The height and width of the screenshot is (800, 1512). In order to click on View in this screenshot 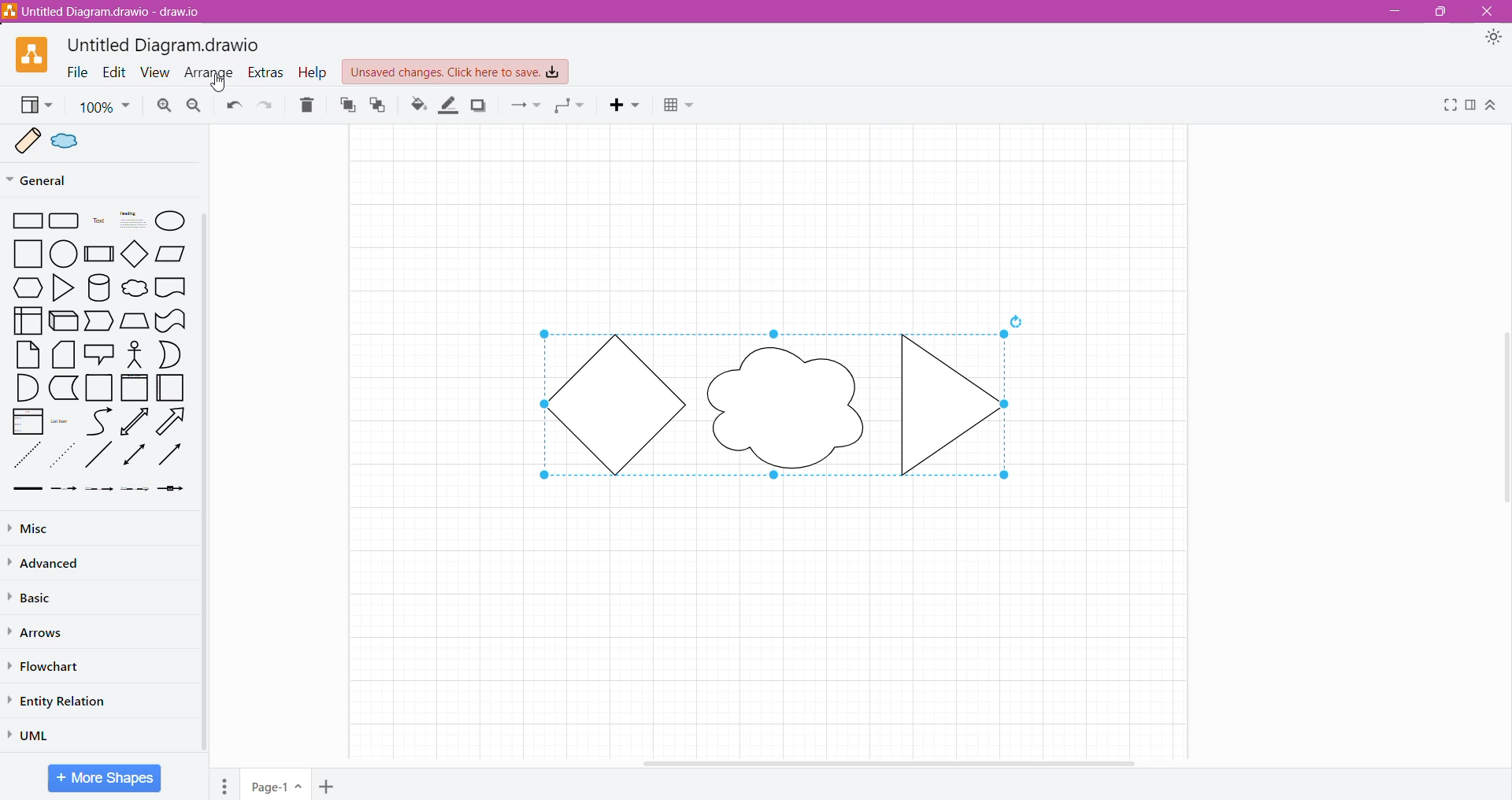, I will do `click(156, 72)`.